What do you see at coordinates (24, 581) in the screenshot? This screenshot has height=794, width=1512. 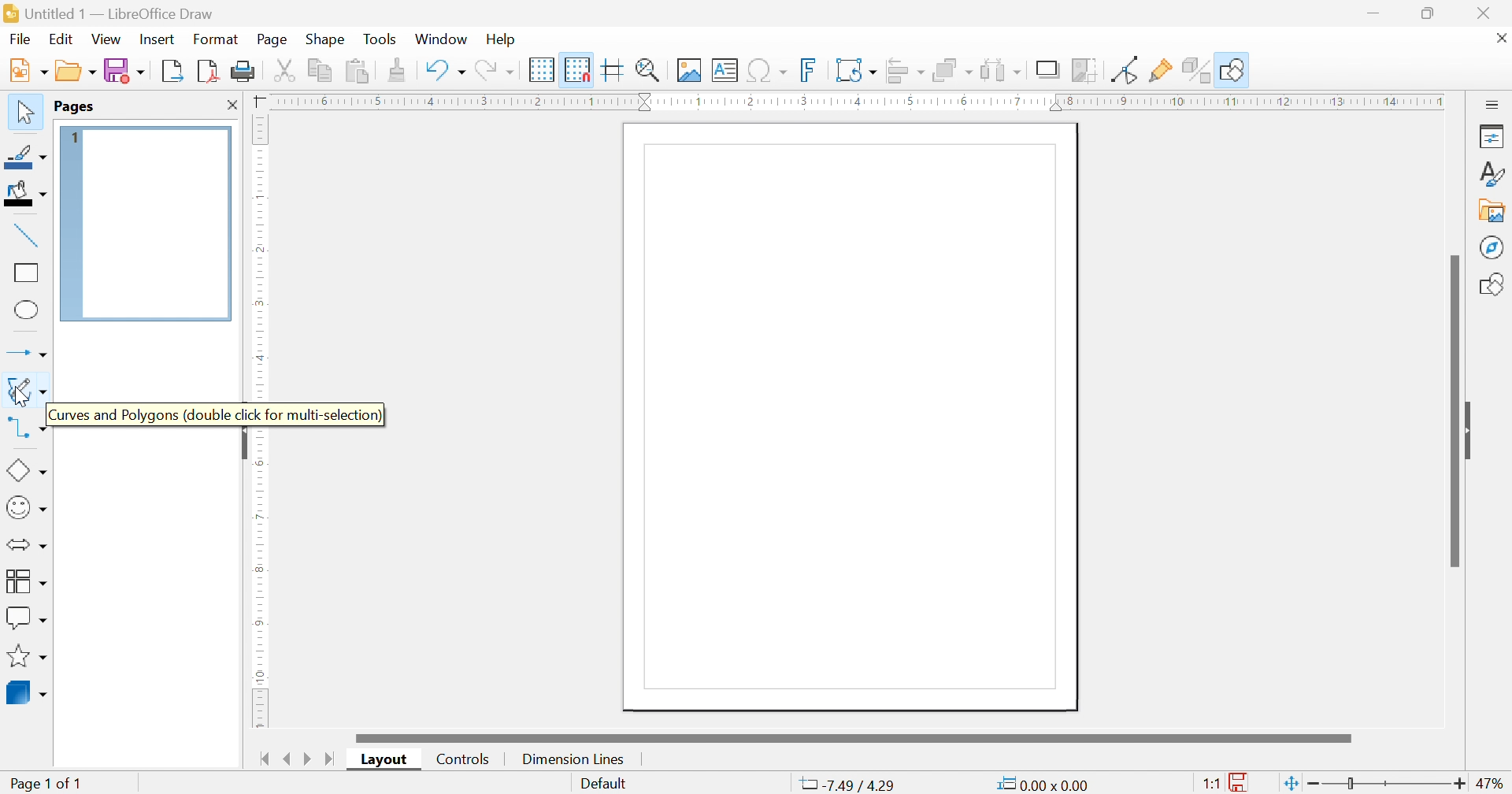 I see `flowcharts` at bounding box center [24, 581].